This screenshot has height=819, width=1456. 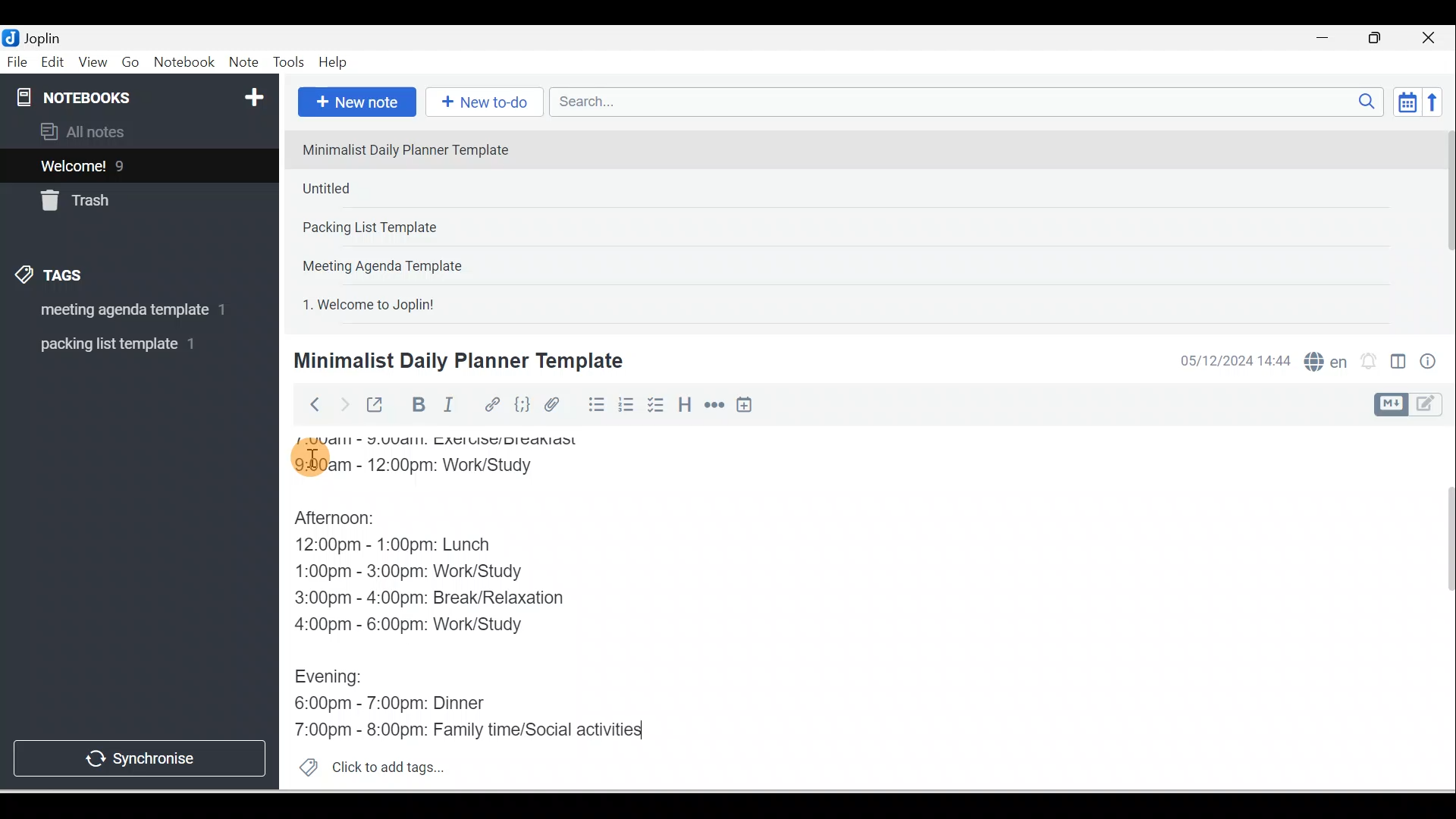 What do you see at coordinates (1432, 38) in the screenshot?
I see `Close` at bounding box center [1432, 38].